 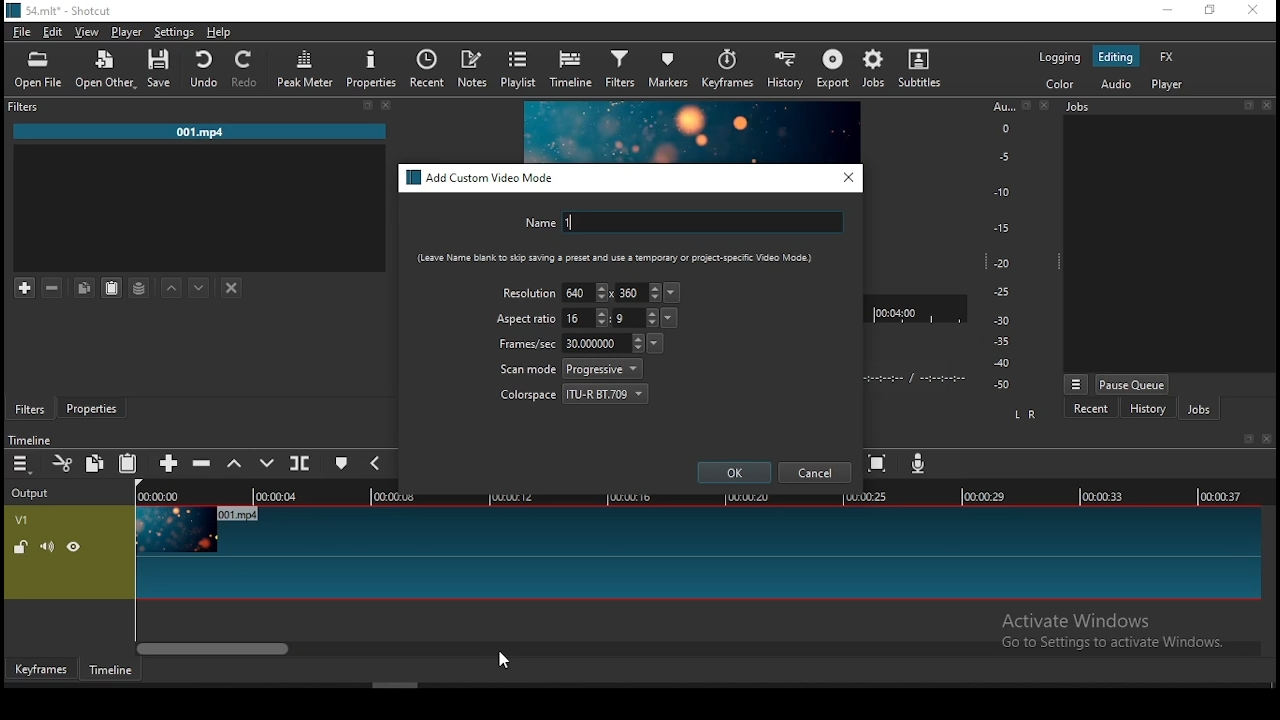 What do you see at coordinates (305, 69) in the screenshot?
I see `peak meter` at bounding box center [305, 69].